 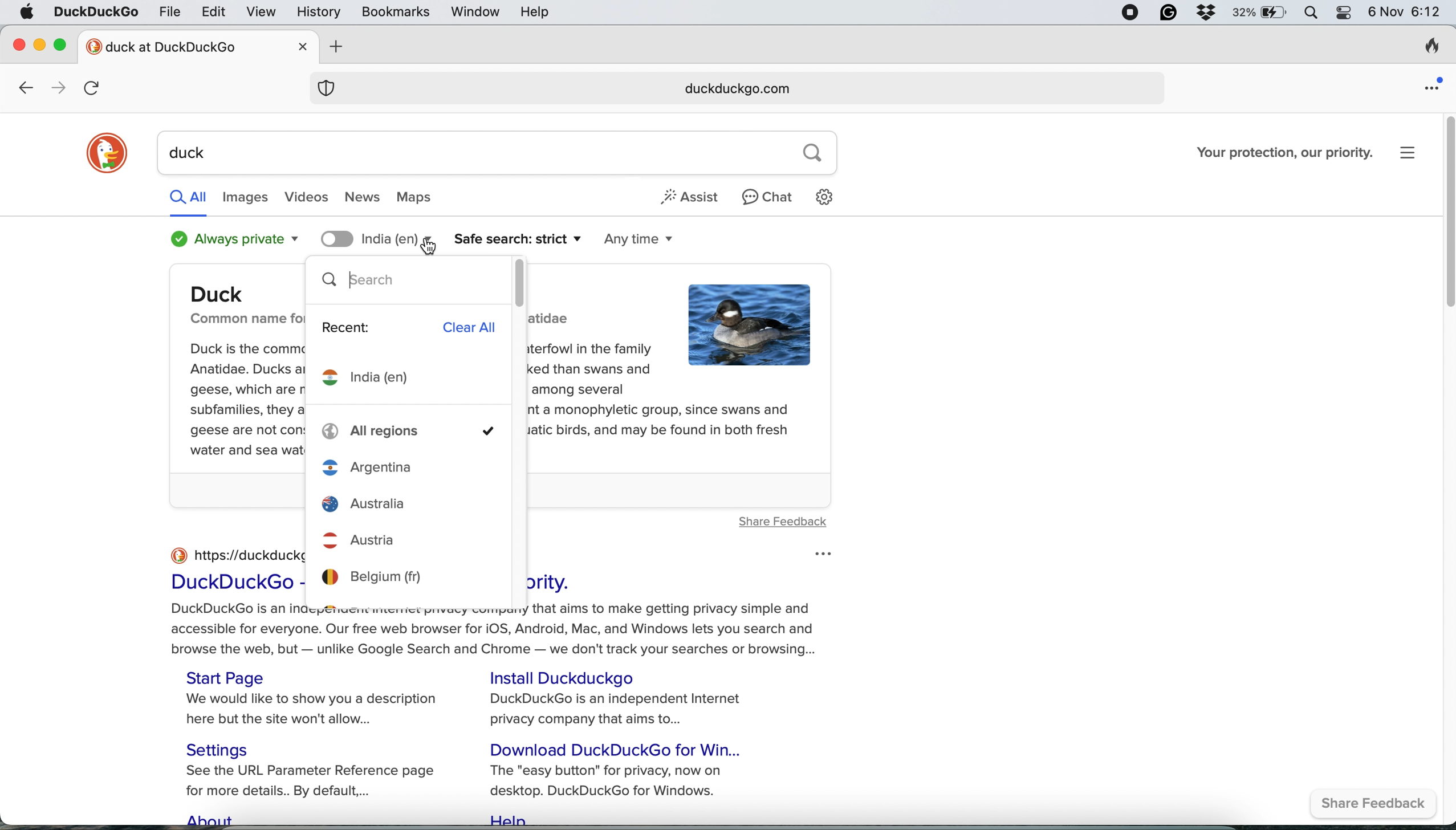 I want to click on argentina, so click(x=412, y=466).